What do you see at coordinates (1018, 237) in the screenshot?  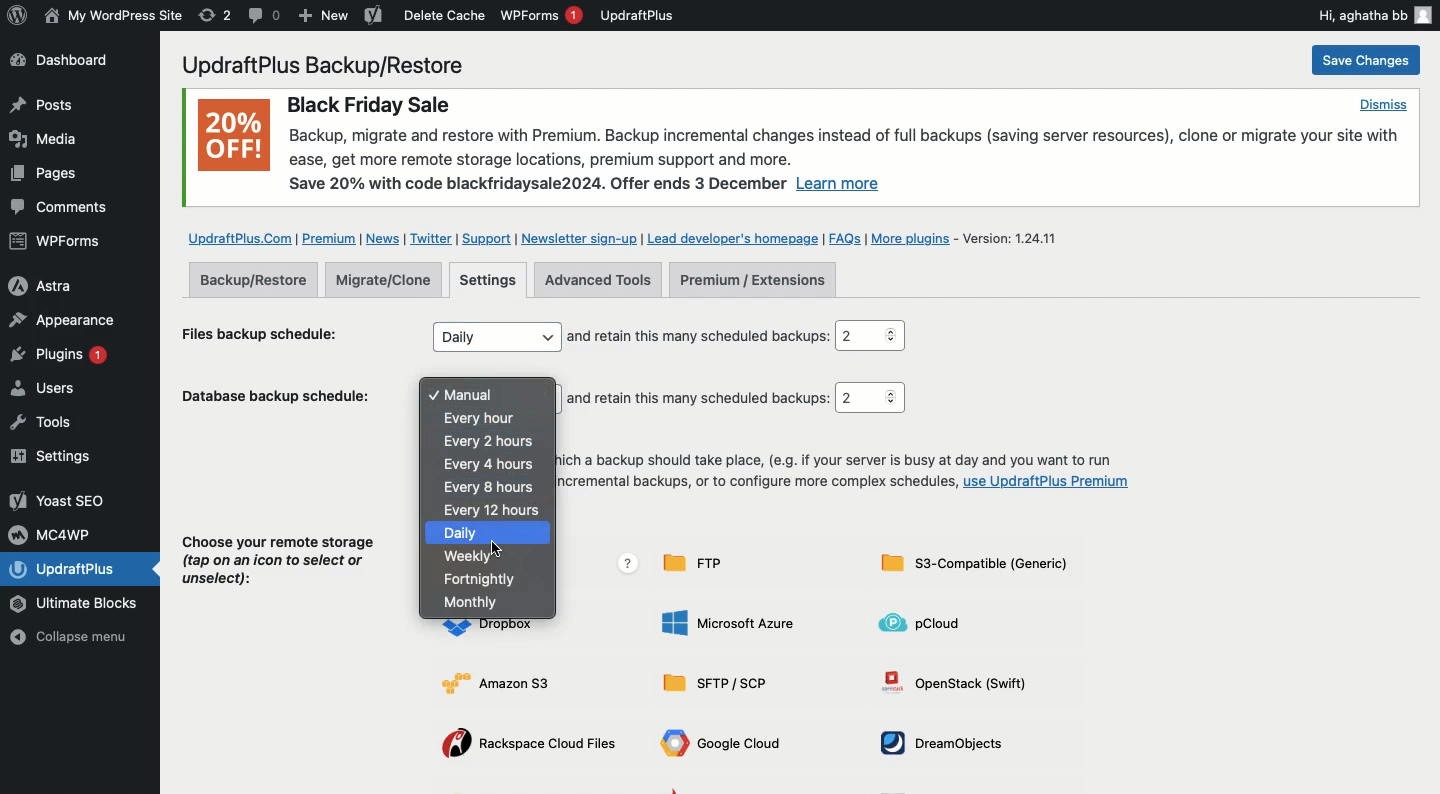 I see `Version 1.24.11` at bounding box center [1018, 237].